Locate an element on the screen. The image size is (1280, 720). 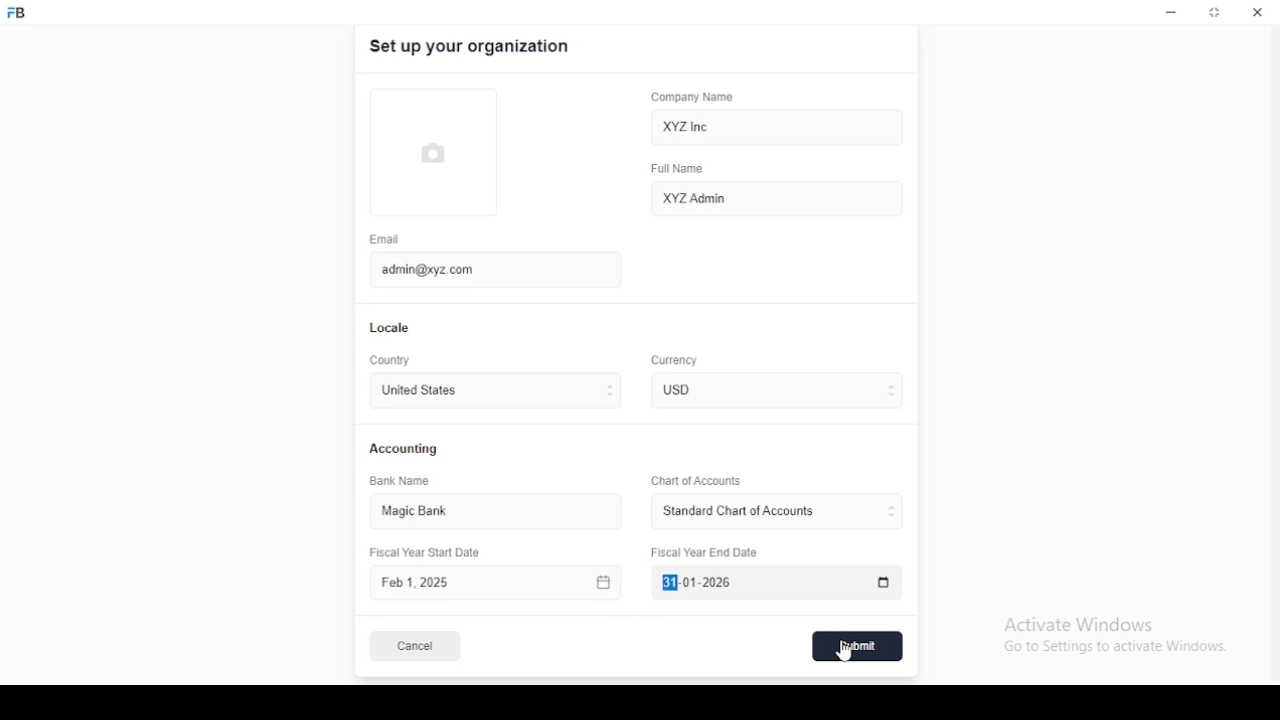
bank name is located at coordinates (401, 481).